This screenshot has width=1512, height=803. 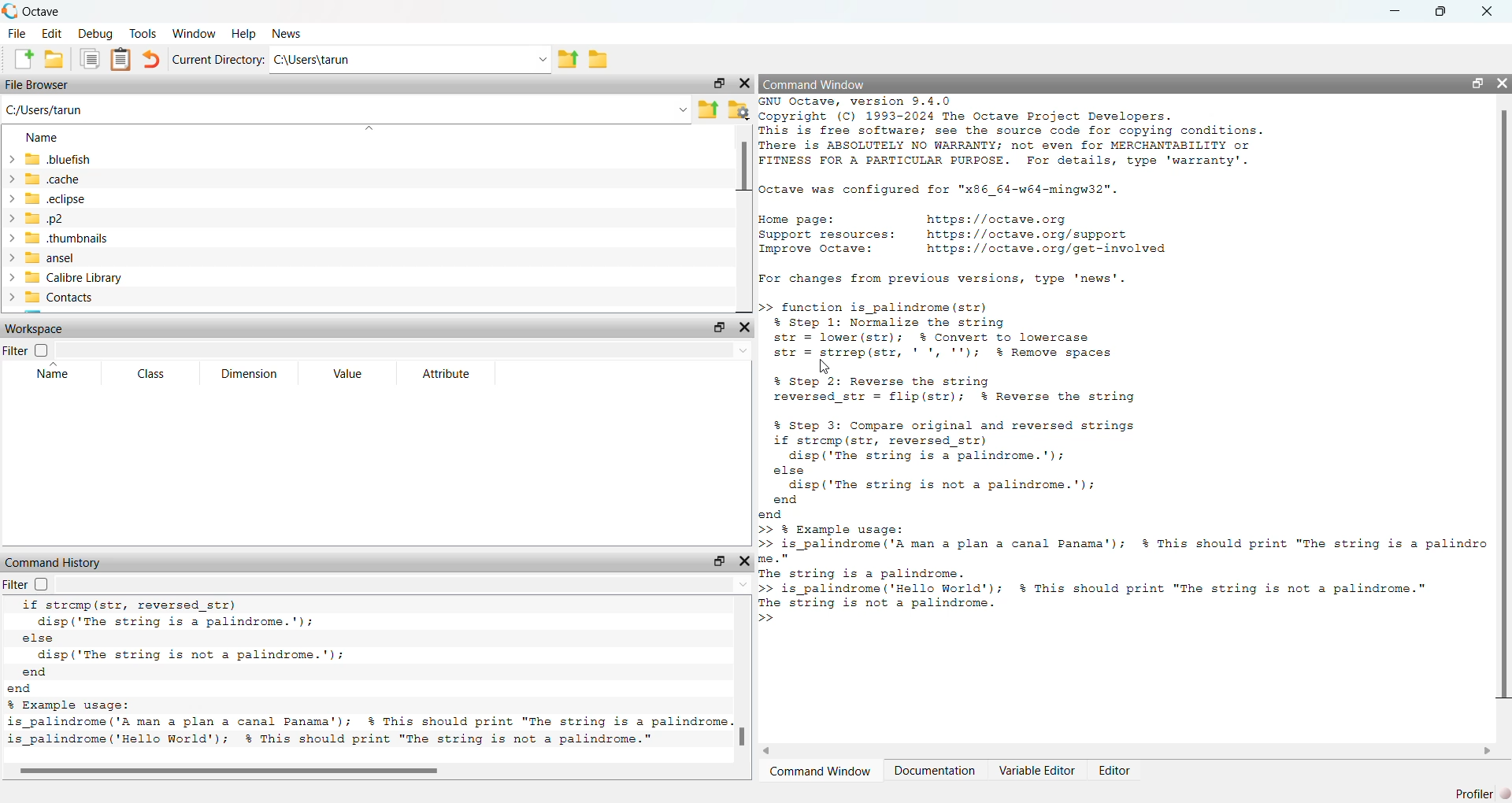 I want to click on scrollbar, so click(x=744, y=176).